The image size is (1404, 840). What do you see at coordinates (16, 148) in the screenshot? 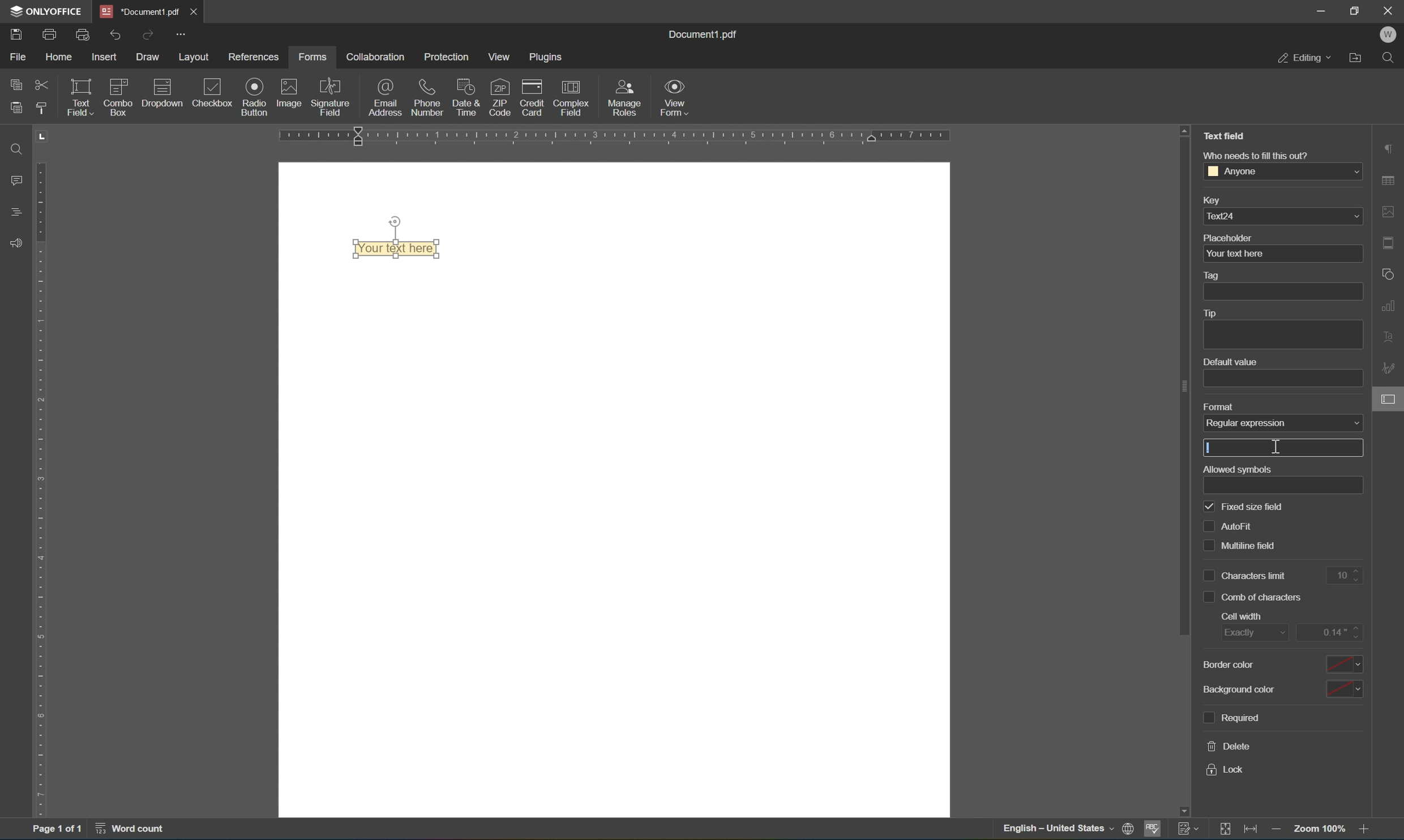
I see `find` at bounding box center [16, 148].